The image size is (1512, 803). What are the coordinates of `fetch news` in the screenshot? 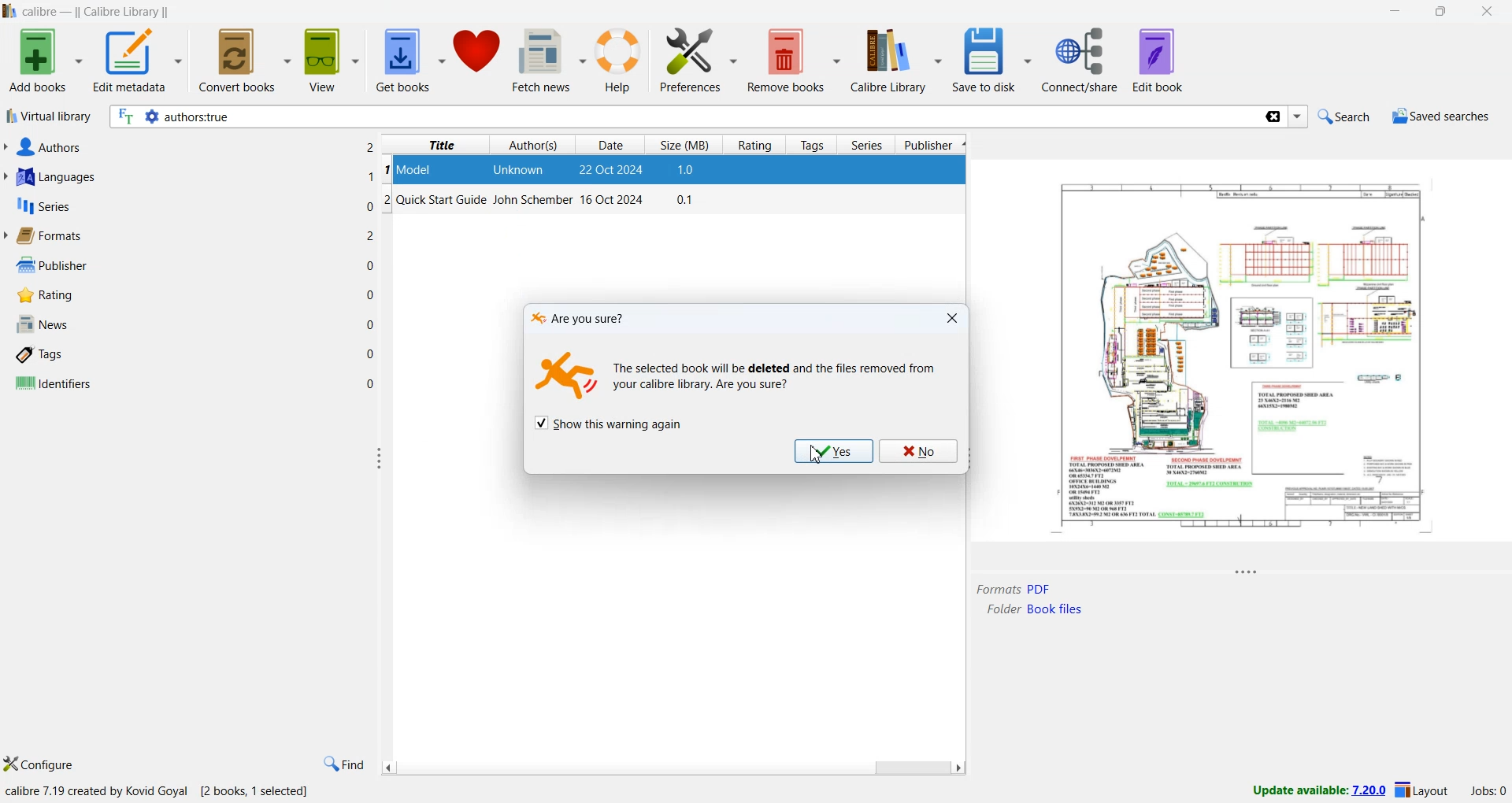 It's located at (551, 63).